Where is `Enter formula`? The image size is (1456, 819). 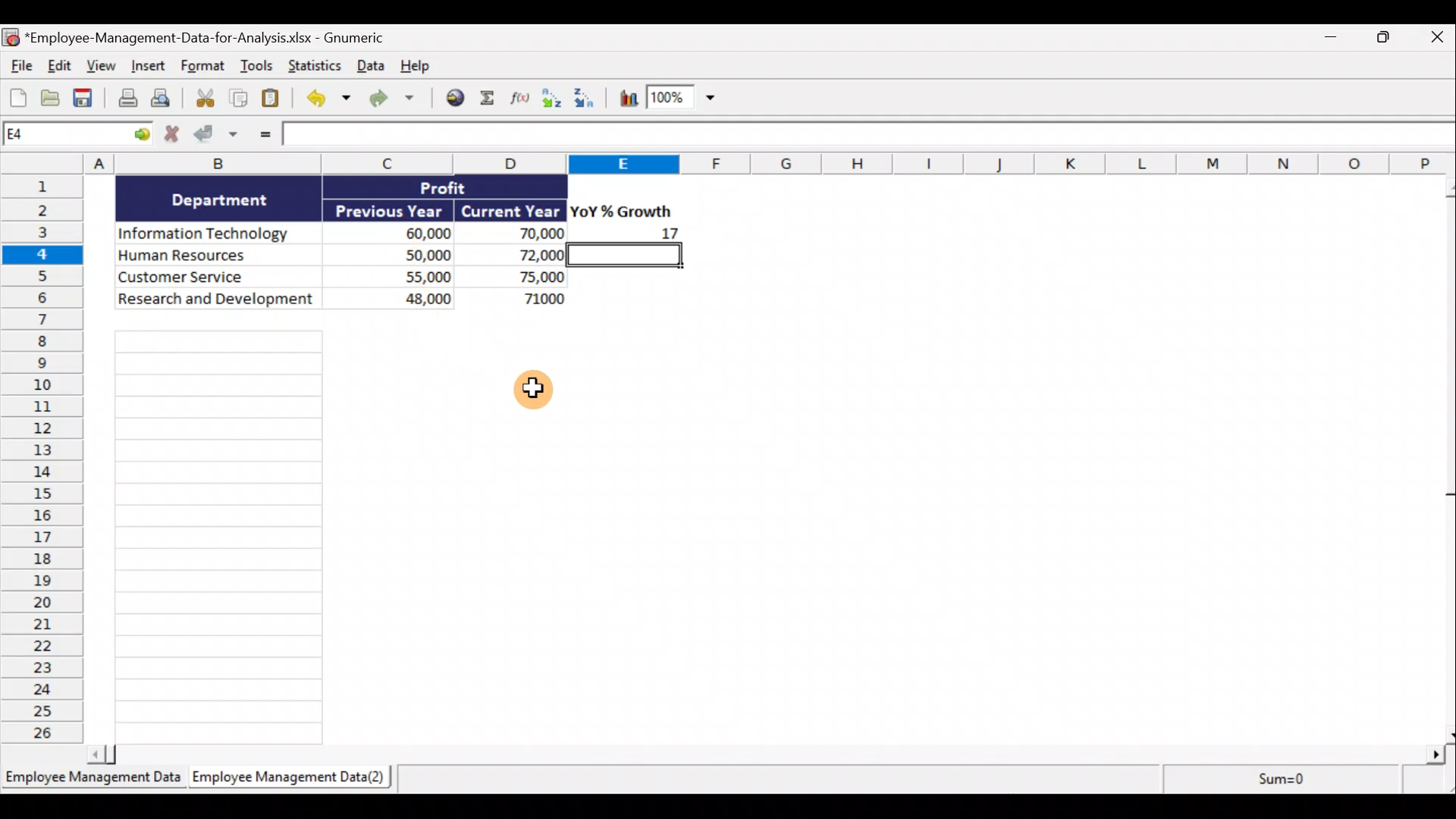 Enter formula is located at coordinates (263, 137).